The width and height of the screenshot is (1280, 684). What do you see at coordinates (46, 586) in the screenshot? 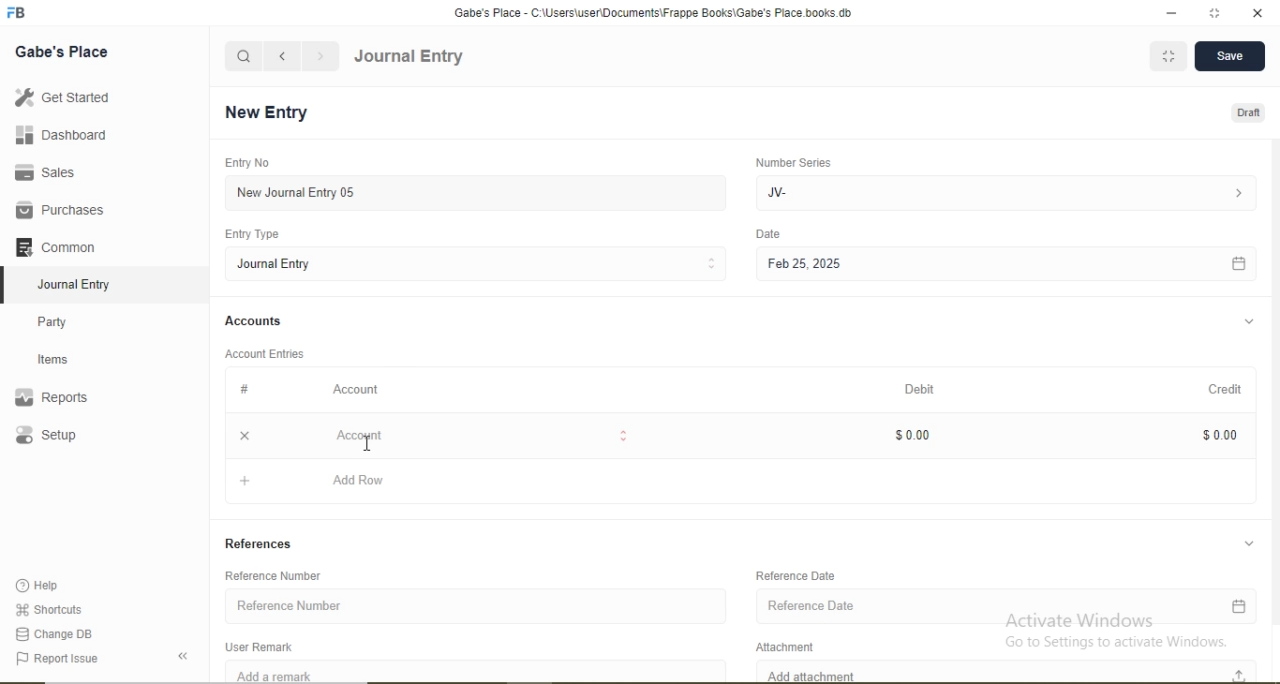
I see `Help` at bounding box center [46, 586].